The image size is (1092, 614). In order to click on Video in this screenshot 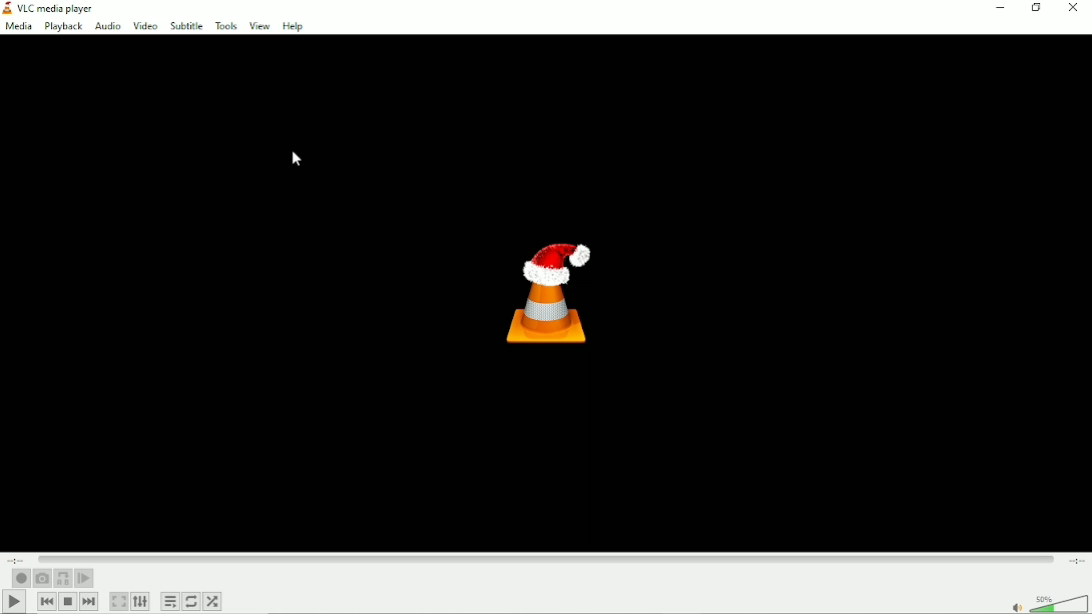, I will do `click(144, 25)`.